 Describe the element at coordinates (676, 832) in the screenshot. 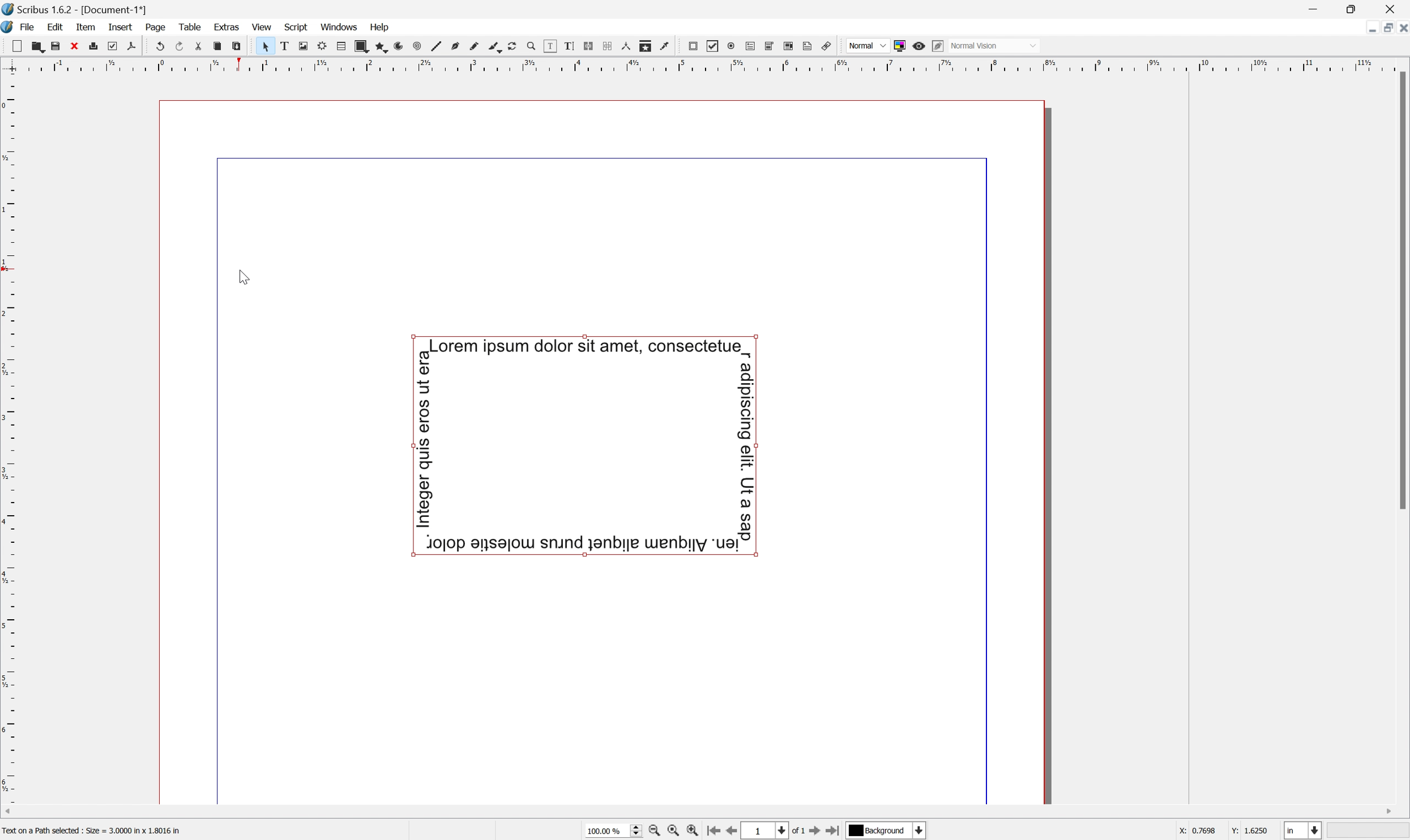

I see `Zoom to 100%` at that location.